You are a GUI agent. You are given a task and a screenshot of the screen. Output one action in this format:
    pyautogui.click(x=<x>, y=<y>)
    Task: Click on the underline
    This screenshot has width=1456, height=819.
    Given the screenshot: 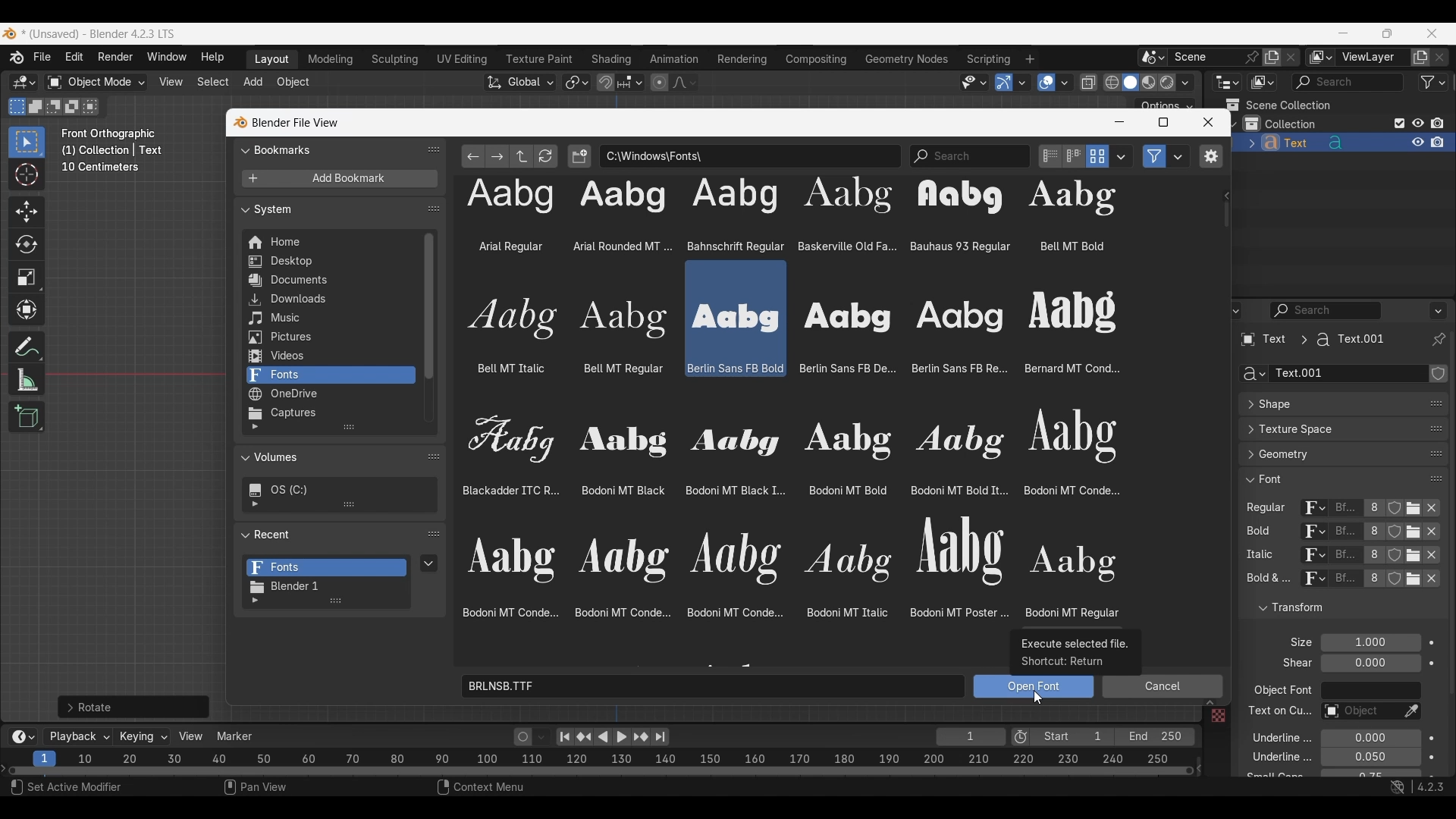 What is the action you would take?
    pyautogui.click(x=1269, y=759)
    